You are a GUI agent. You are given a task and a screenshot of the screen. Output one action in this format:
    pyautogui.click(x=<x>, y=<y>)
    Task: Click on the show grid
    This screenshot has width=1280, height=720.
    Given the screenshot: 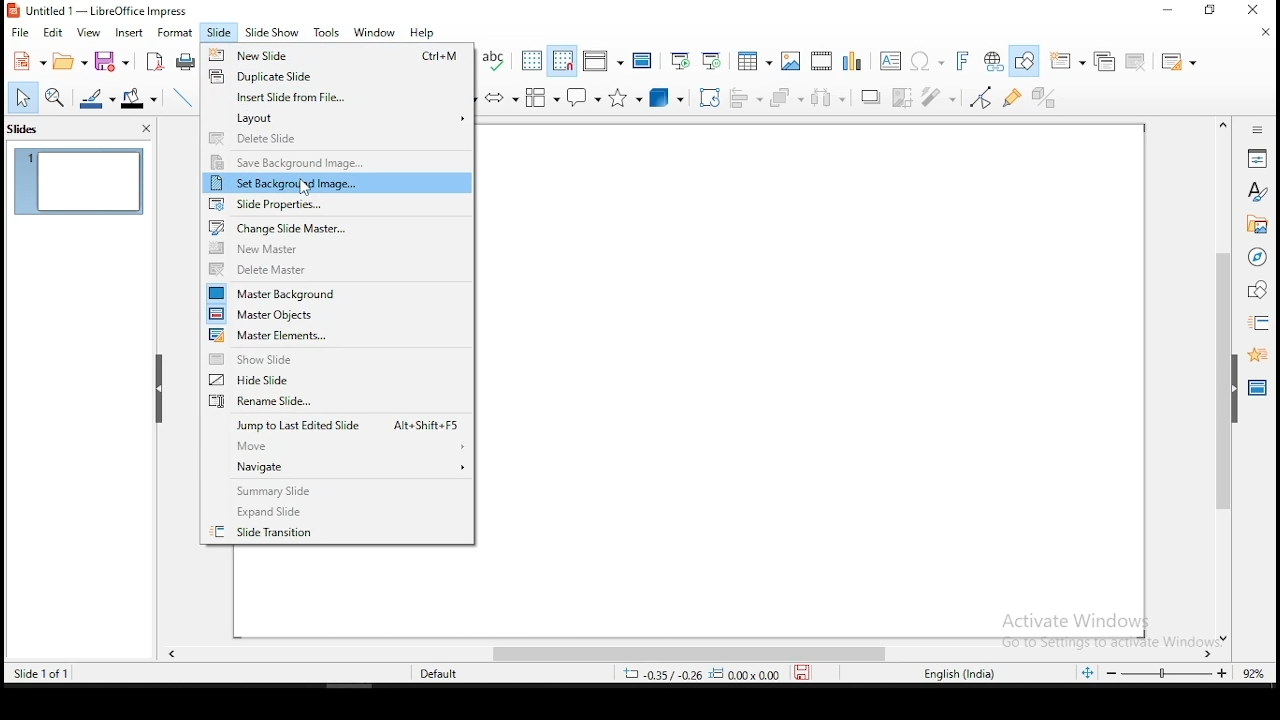 What is the action you would take?
    pyautogui.click(x=532, y=61)
    